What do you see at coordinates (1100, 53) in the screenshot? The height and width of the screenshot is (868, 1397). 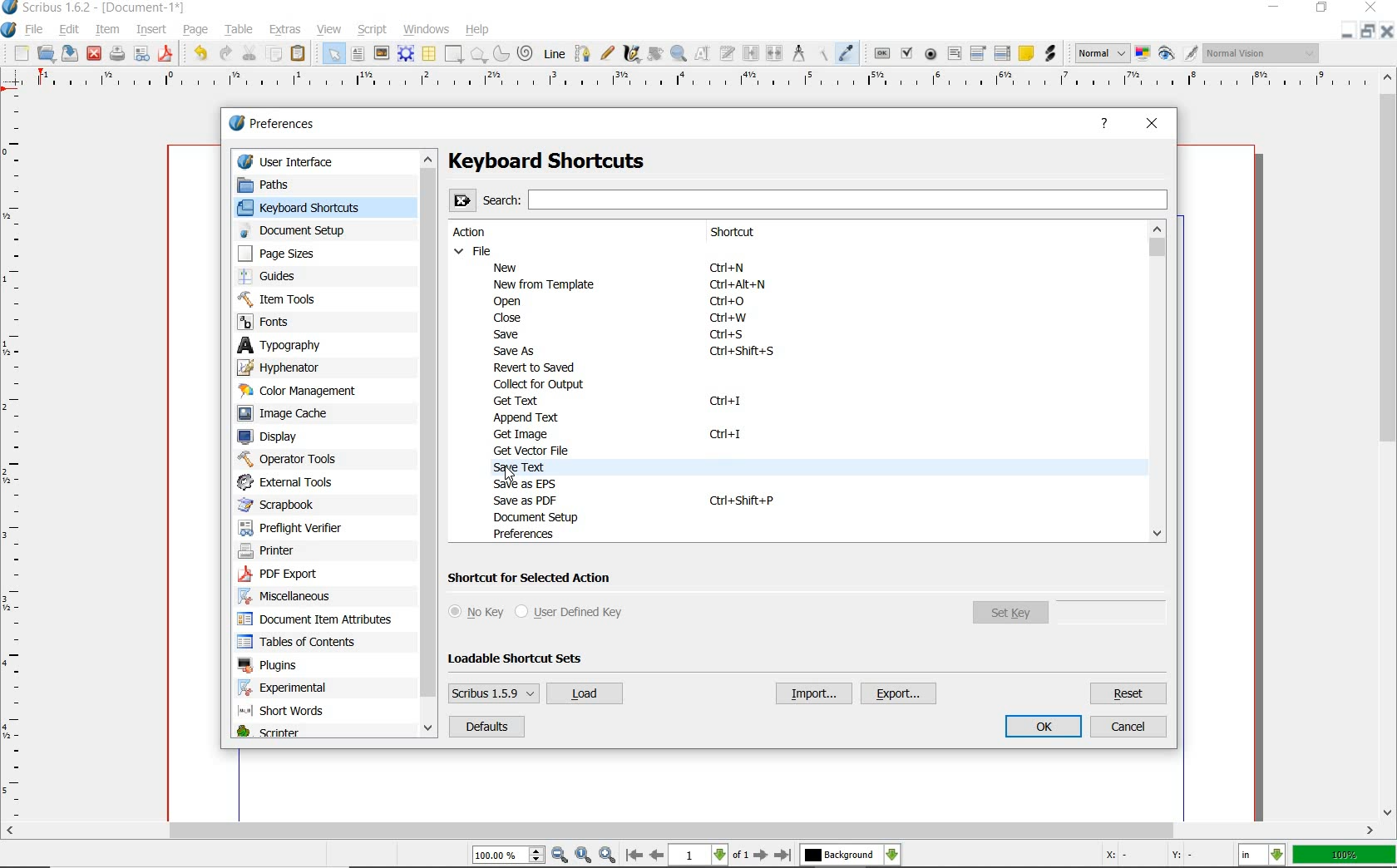 I see `select image preview mode` at bounding box center [1100, 53].